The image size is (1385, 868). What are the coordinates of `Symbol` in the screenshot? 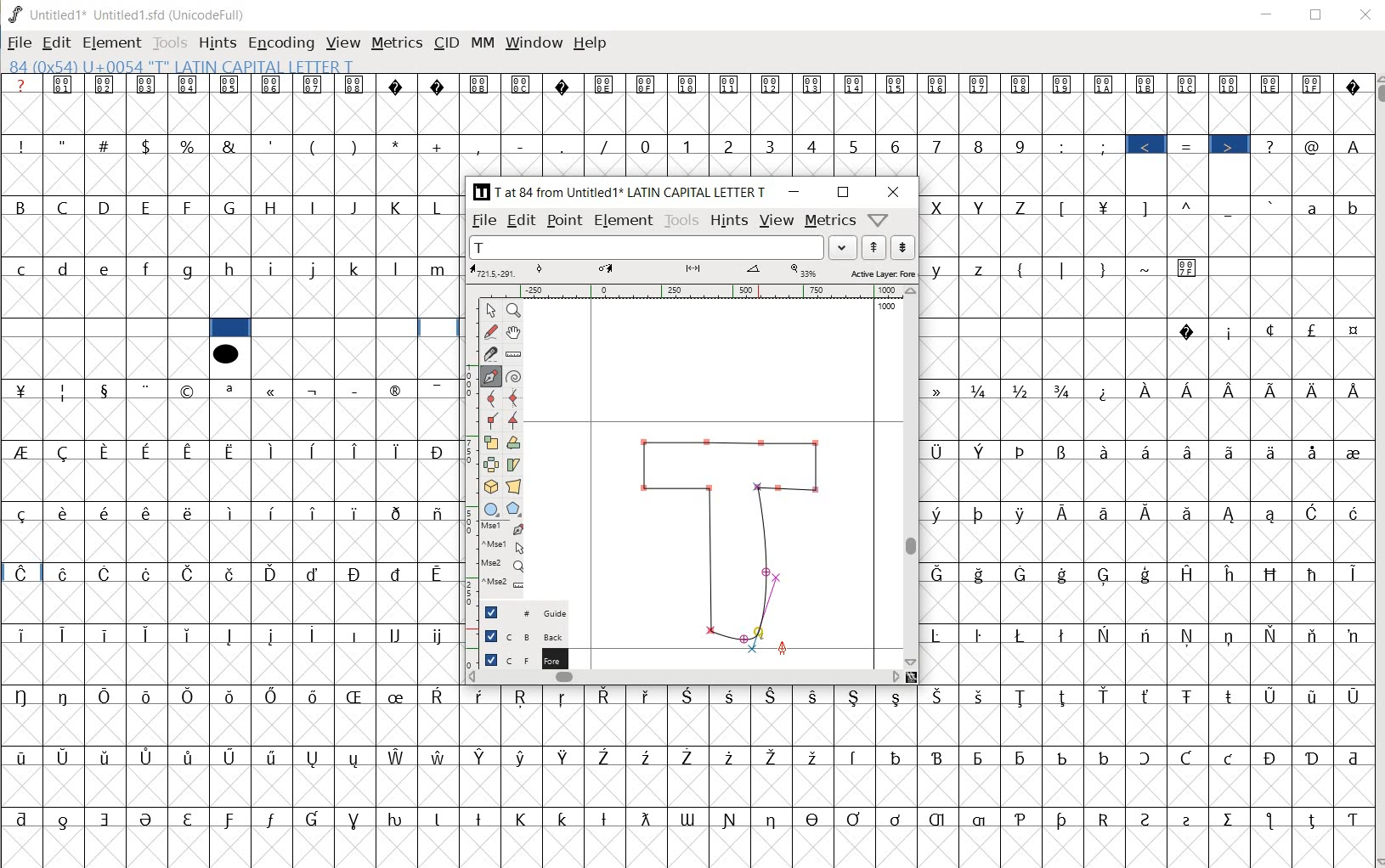 It's located at (565, 696).